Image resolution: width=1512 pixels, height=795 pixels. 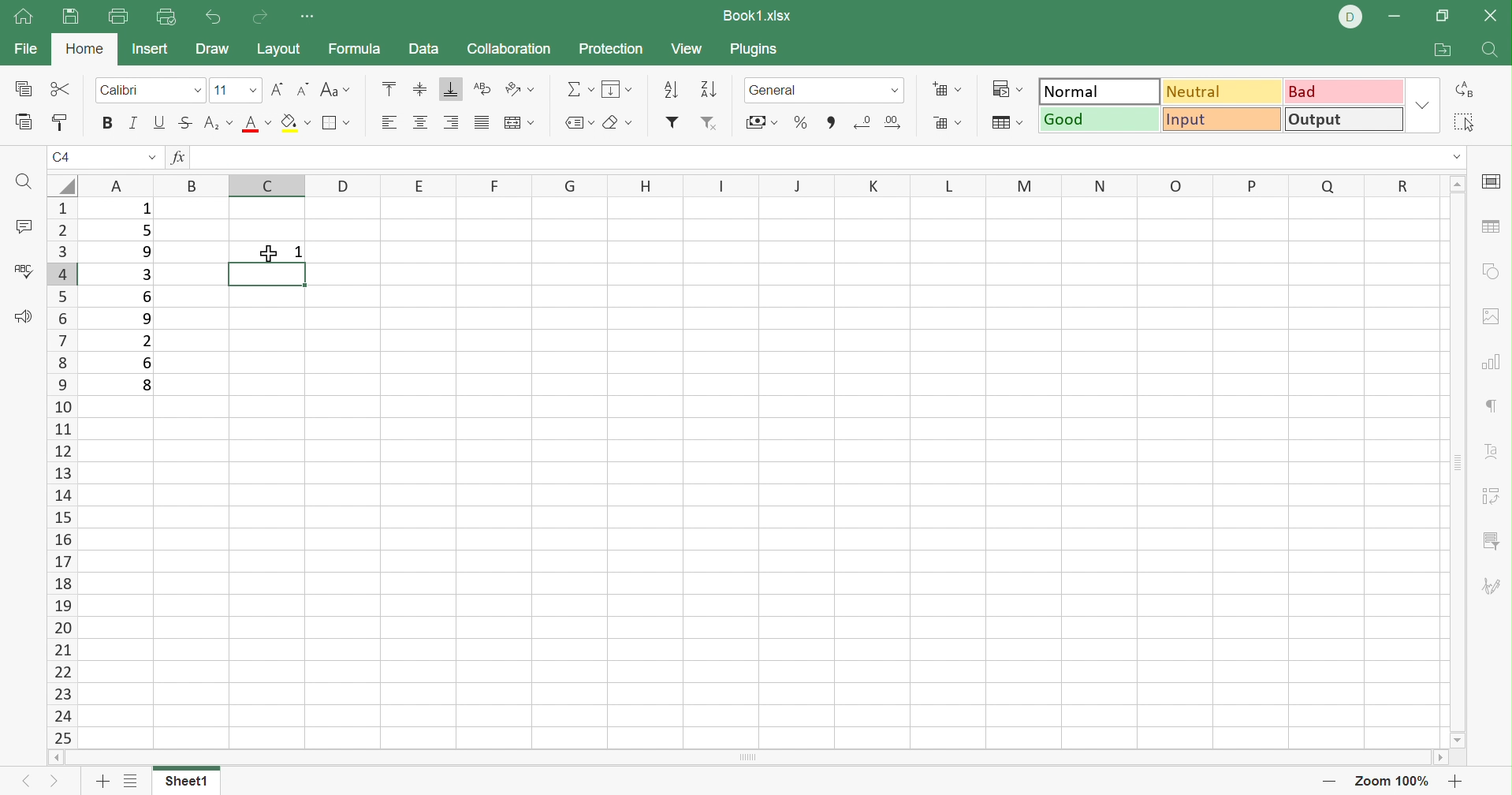 What do you see at coordinates (151, 159) in the screenshot?
I see `Drop Down` at bounding box center [151, 159].